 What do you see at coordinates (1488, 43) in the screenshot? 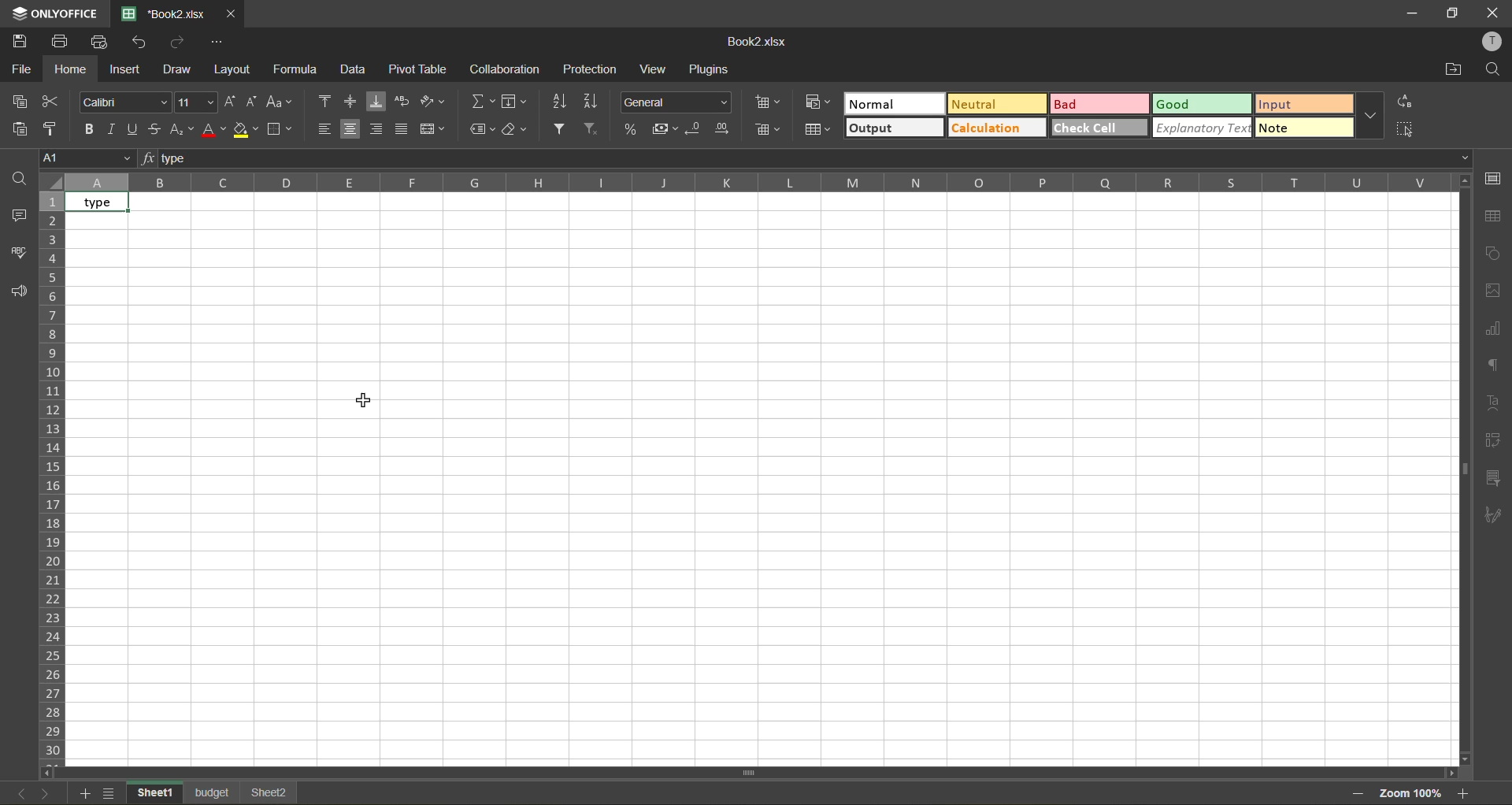
I see `profile` at bounding box center [1488, 43].